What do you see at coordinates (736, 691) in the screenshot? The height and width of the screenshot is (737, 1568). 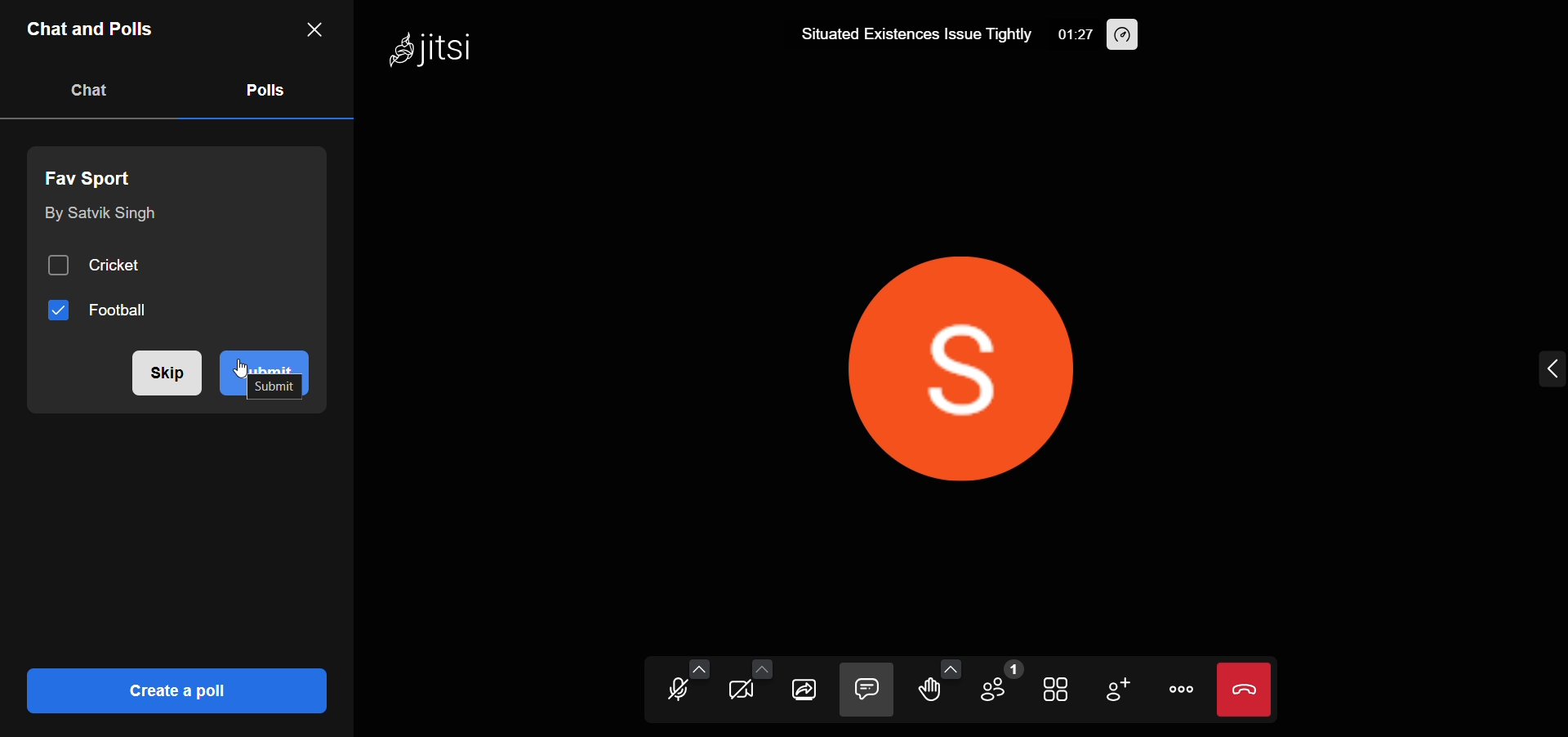 I see `camera` at bounding box center [736, 691].